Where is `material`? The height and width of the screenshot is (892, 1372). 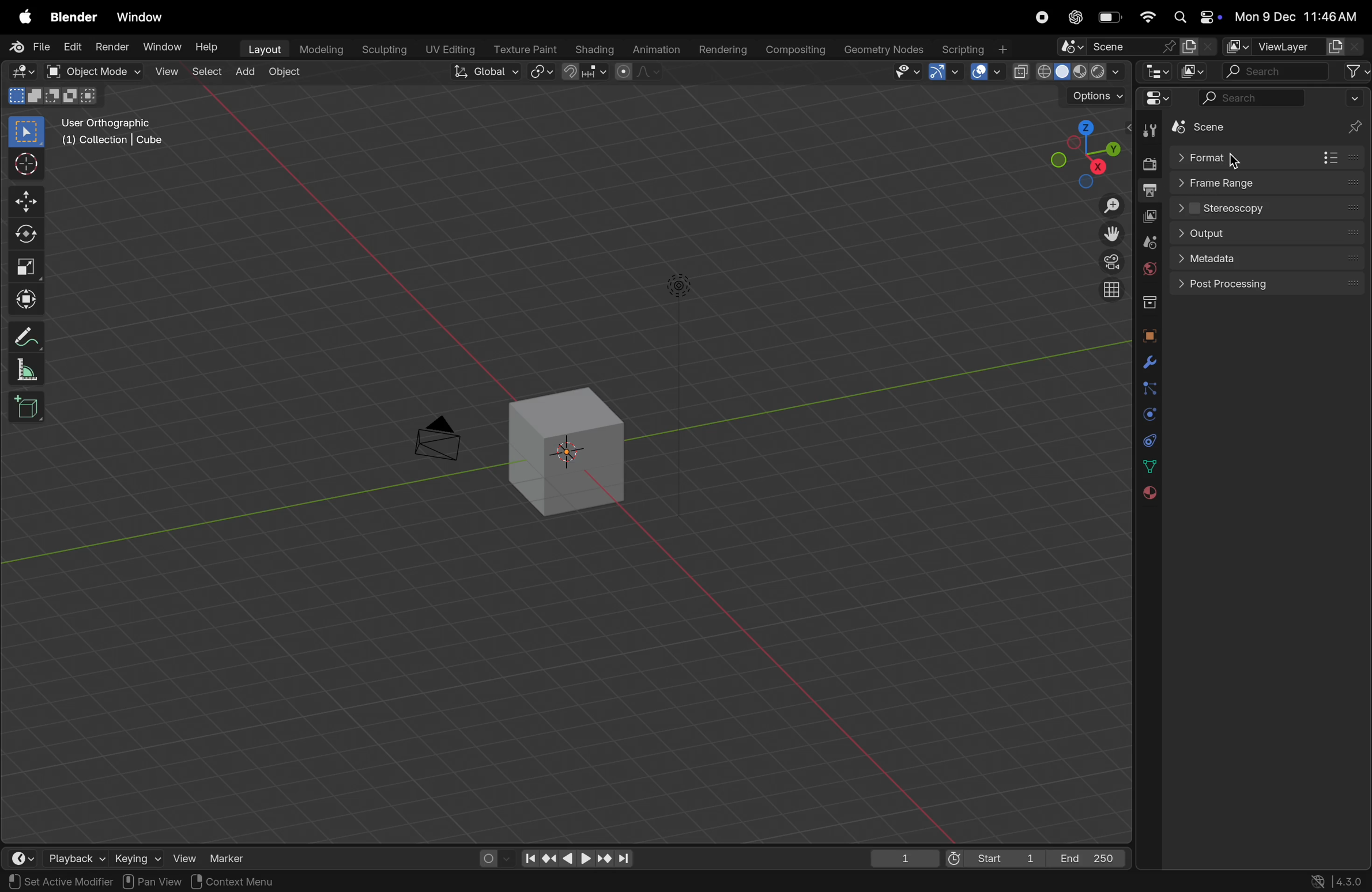 material is located at coordinates (1146, 493).